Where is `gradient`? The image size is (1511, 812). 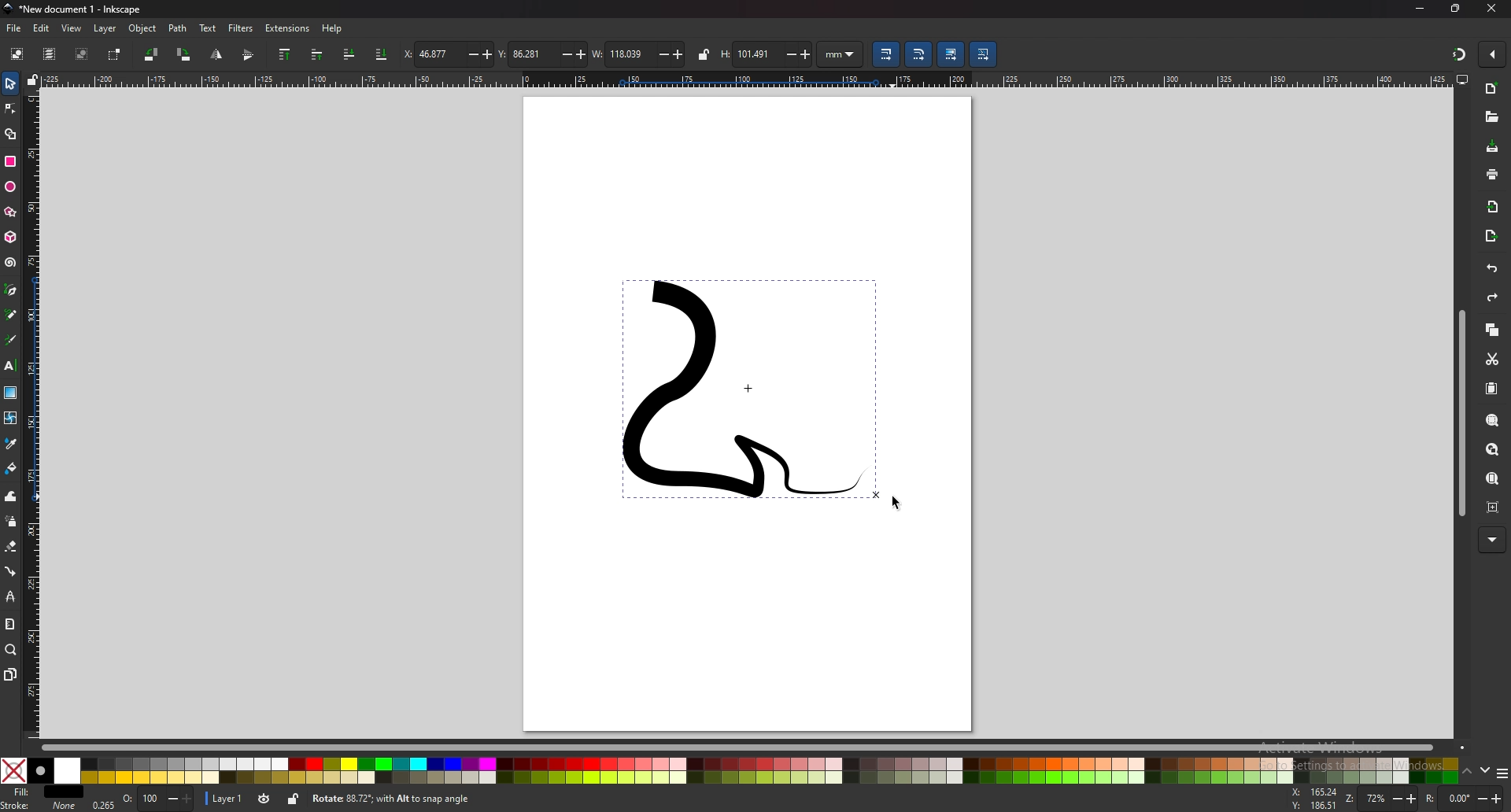 gradient is located at coordinates (11, 392).